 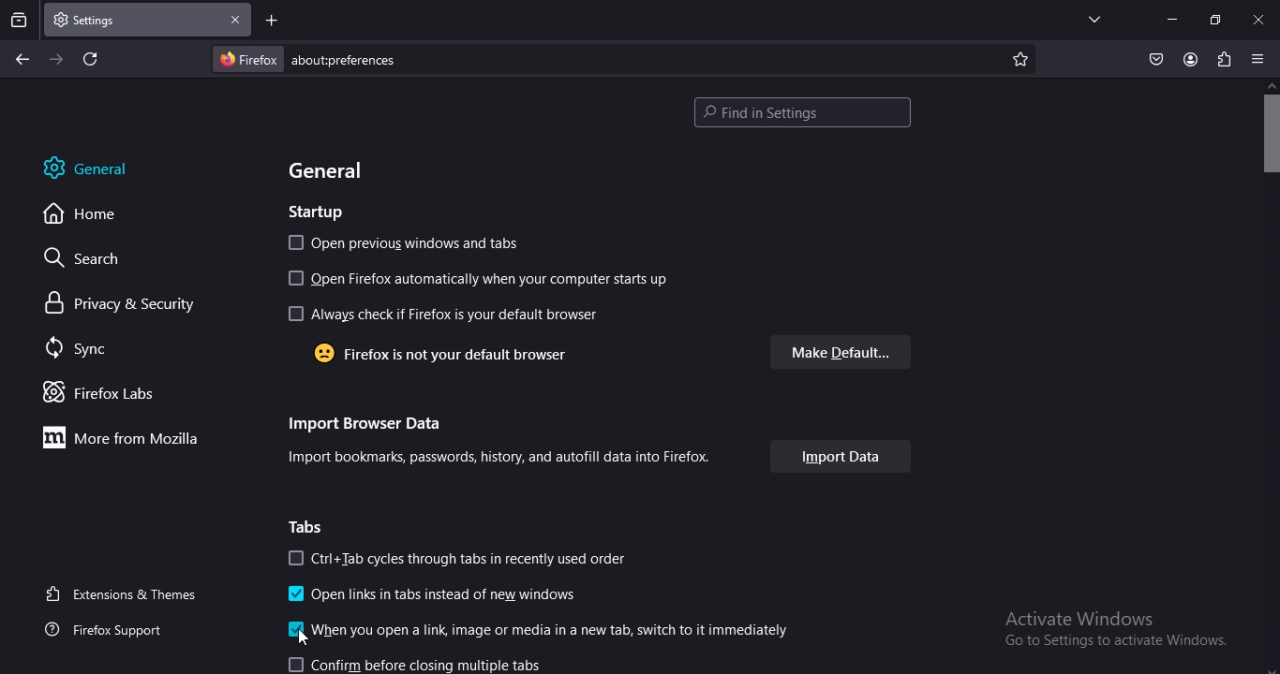 I want to click on minimize, so click(x=1172, y=20).